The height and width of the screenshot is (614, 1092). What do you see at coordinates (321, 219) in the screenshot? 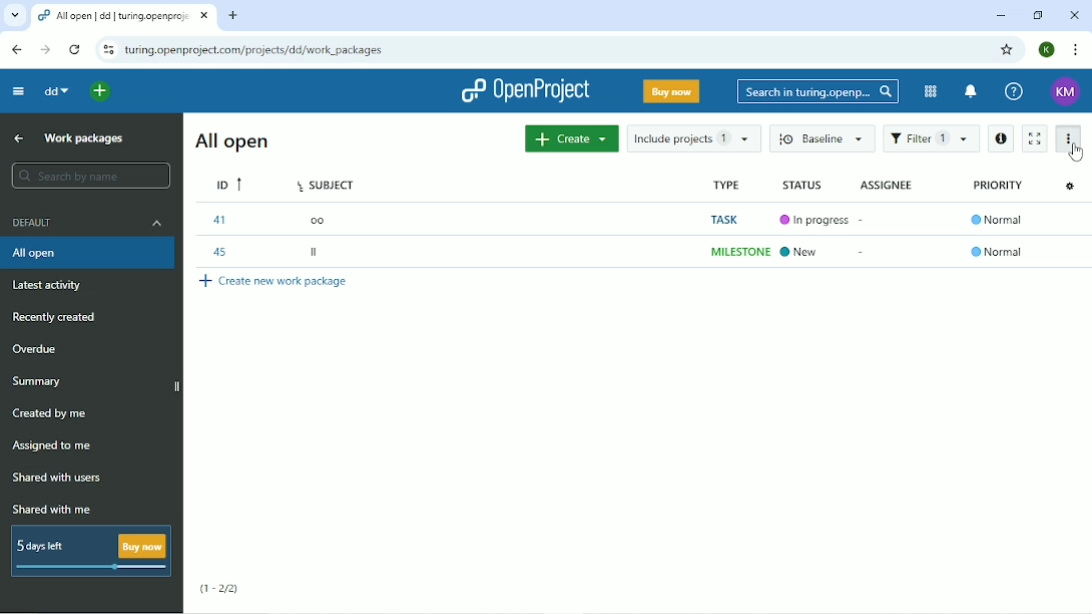
I see `oo` at bounding box center [321, 219].